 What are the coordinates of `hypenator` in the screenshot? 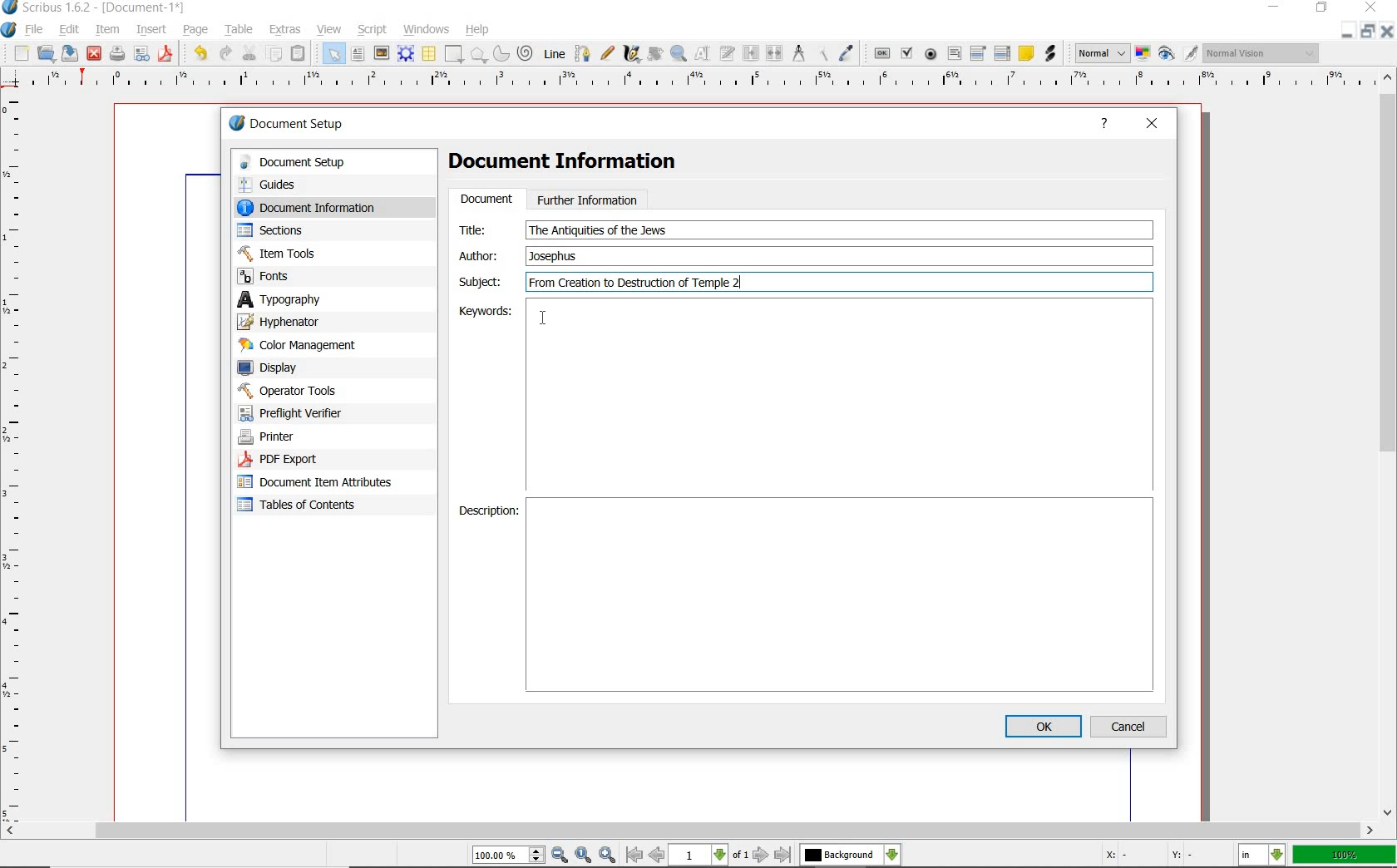 It's located at (291, 322).